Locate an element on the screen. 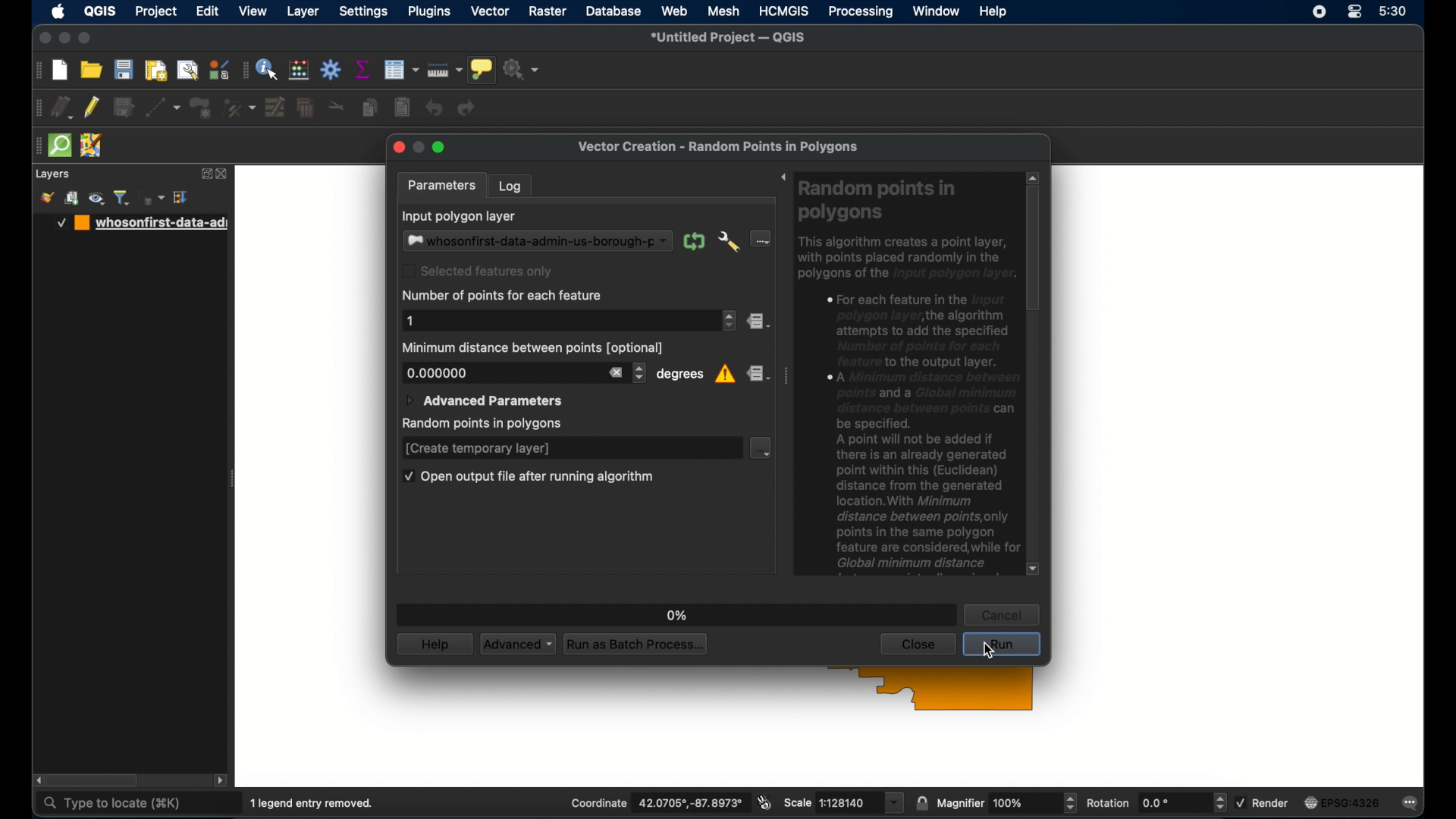 Image resolution: width=1456 pixels, height=819 pixels. advanced parameters is located at coordinates (484, 400).